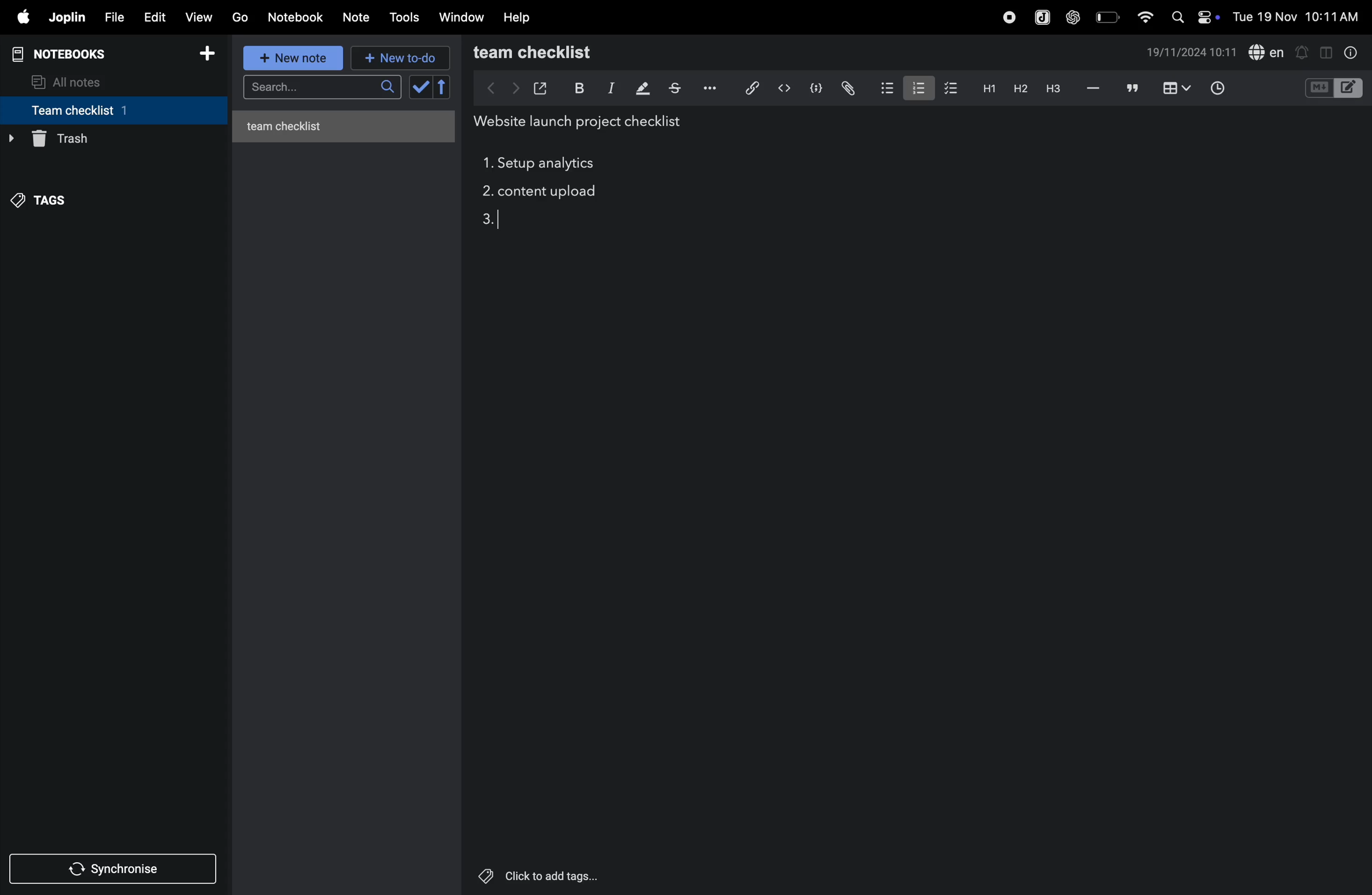 The width and height of the screenshot is (1372, 895). Describe the element at coordinates (609, 88) in the screenshot. I see `itallic` at that location.